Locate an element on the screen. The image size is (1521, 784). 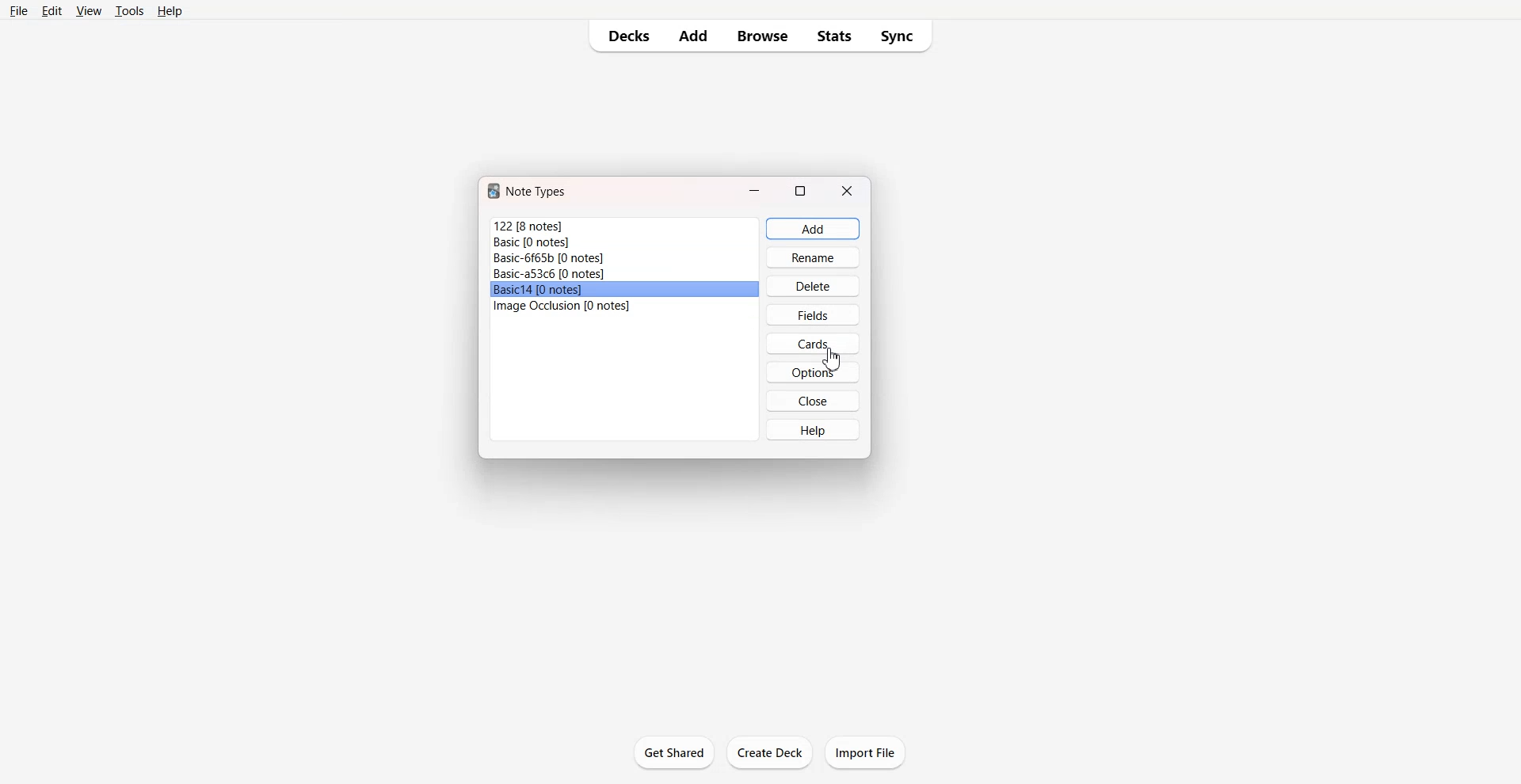
Edit is located at coordinates (51, 11).